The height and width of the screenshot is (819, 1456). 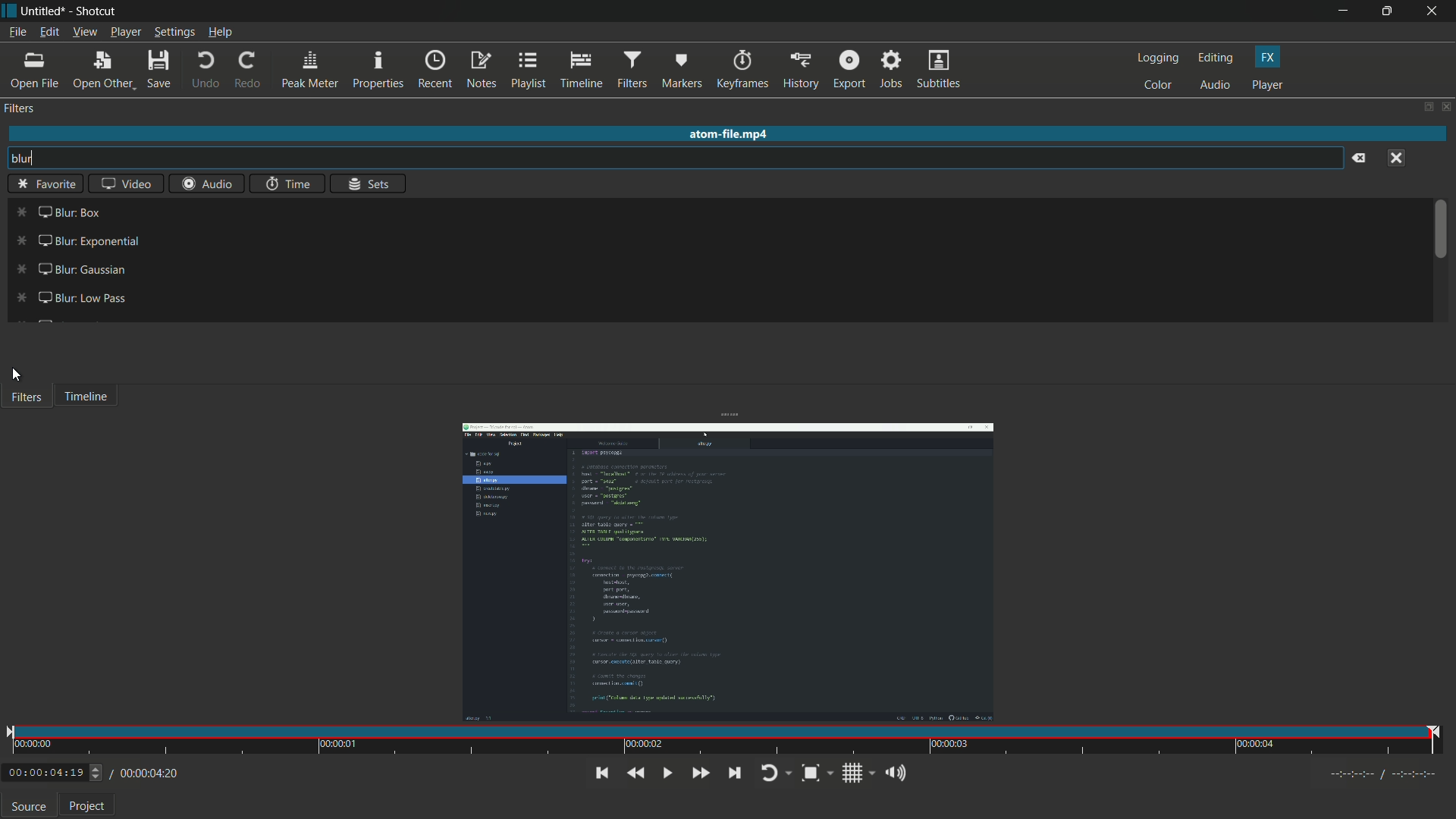 I want to click on file name, so click(x=40, y=12).